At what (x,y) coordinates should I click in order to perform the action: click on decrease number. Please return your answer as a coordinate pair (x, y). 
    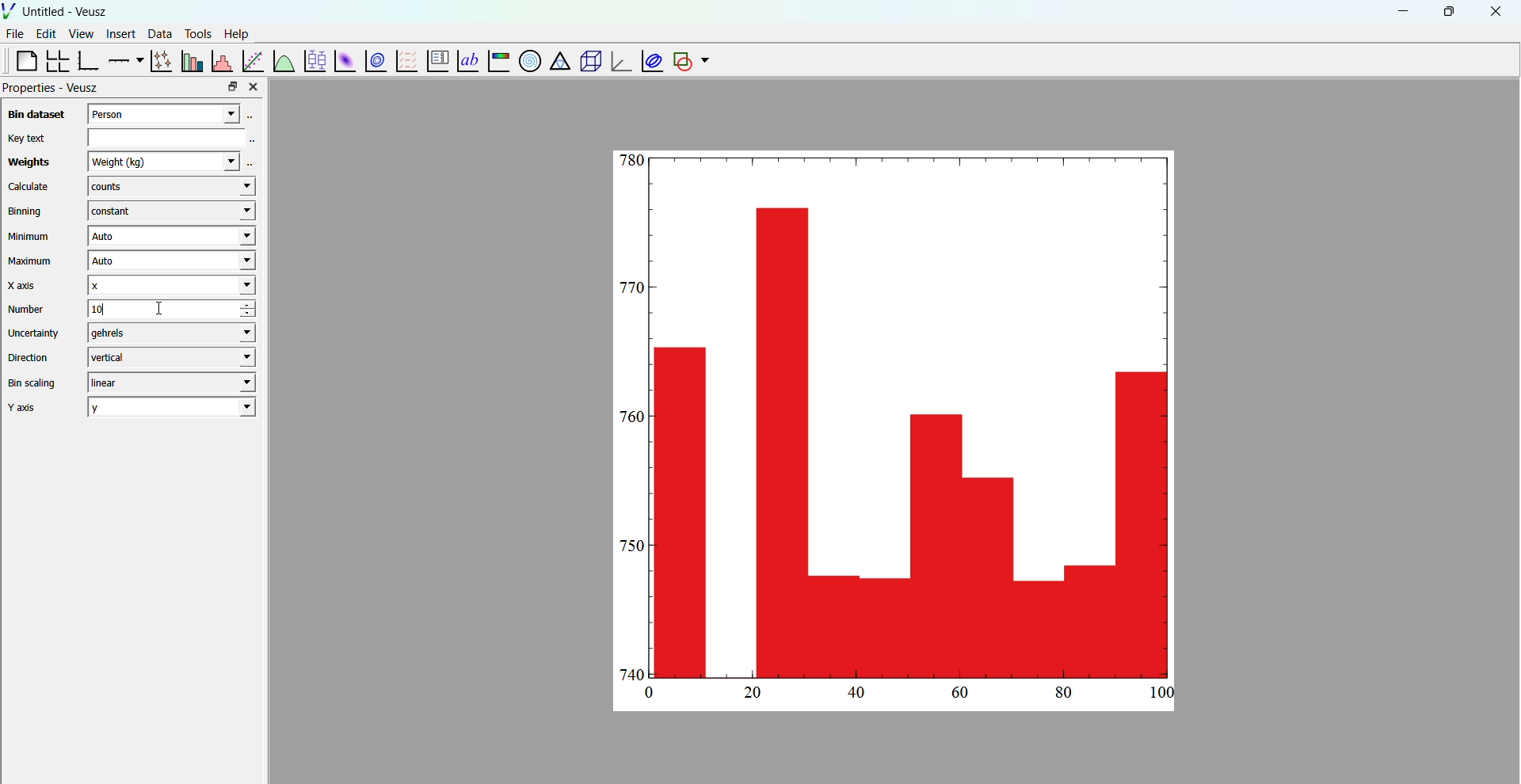
    Looking at the image, I should click on (257, 315).